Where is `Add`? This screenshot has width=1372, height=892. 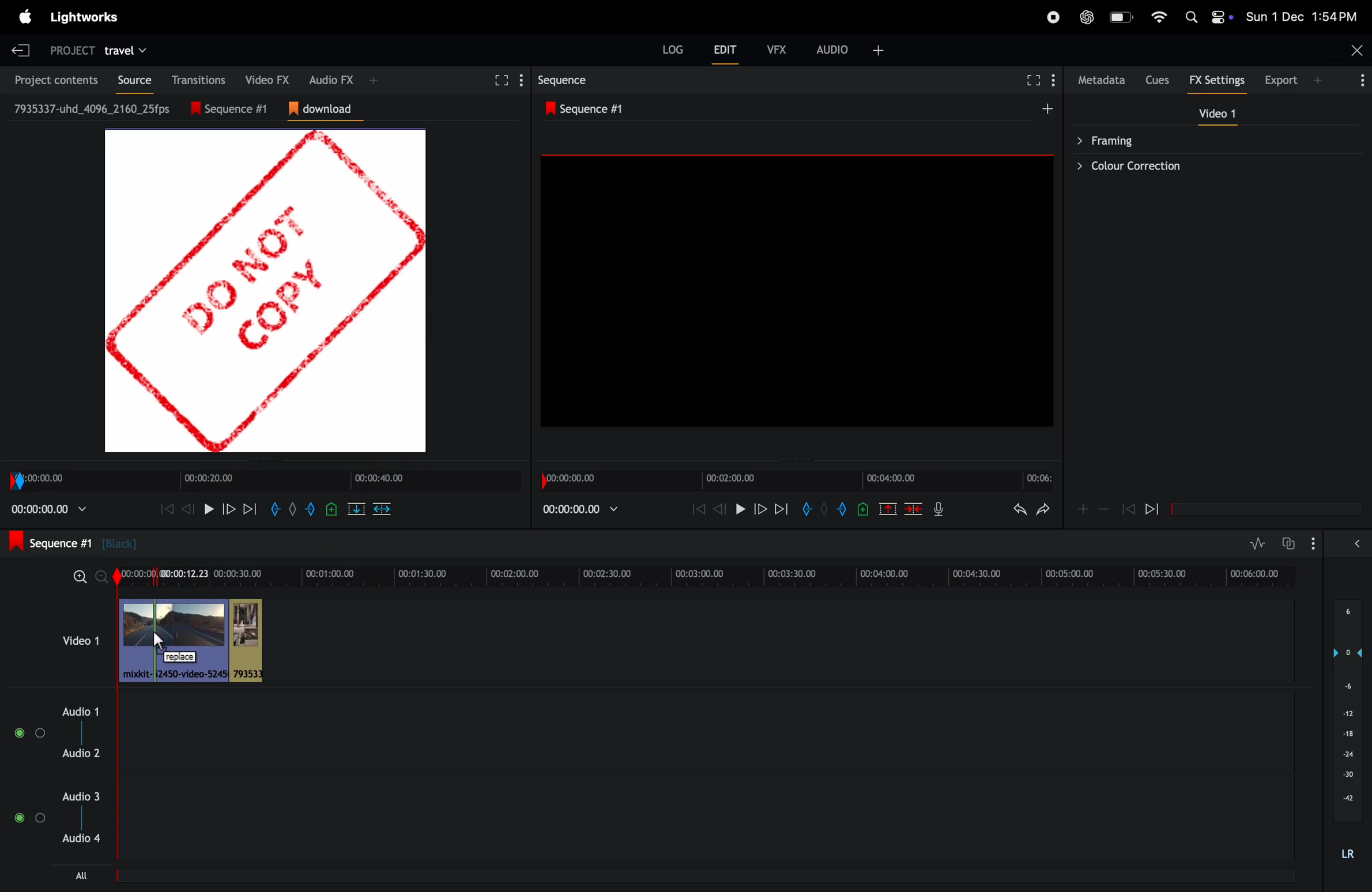
Add is located at coordinates (1317, 80).